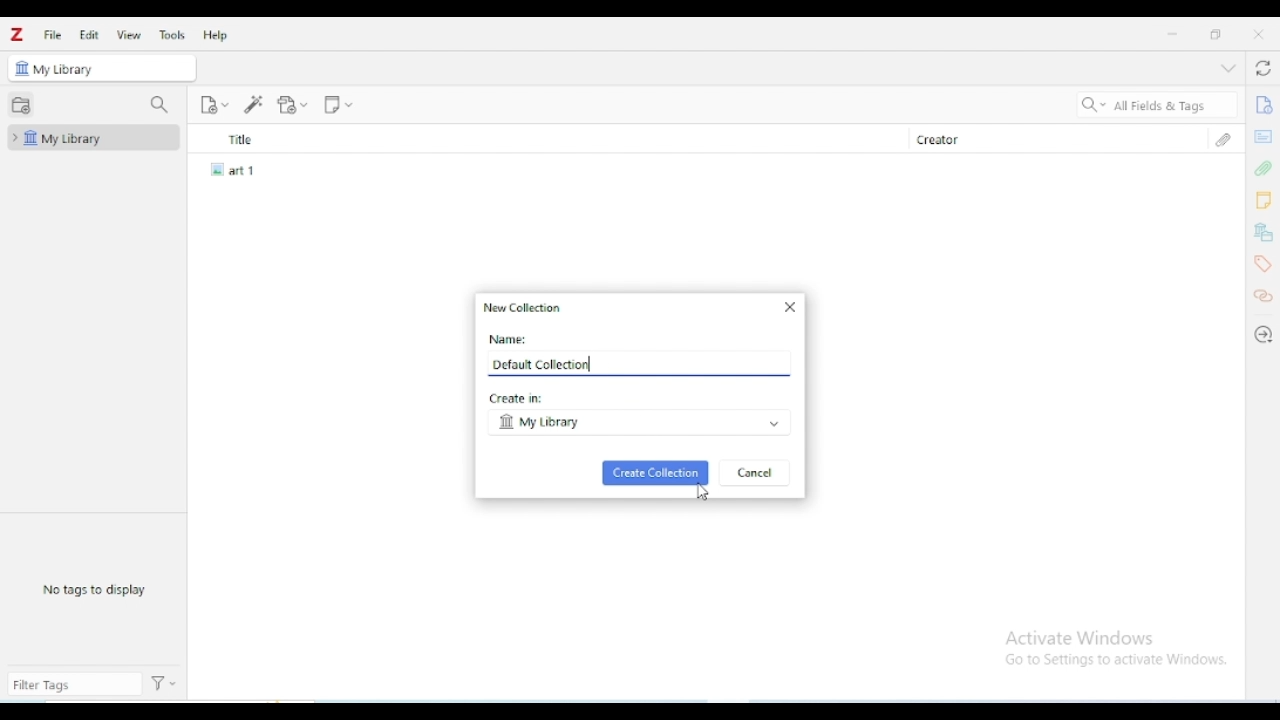  What do you see at coordinates (546, 139) in the screenshot?
I see `title` at bounding box center [546, 139].